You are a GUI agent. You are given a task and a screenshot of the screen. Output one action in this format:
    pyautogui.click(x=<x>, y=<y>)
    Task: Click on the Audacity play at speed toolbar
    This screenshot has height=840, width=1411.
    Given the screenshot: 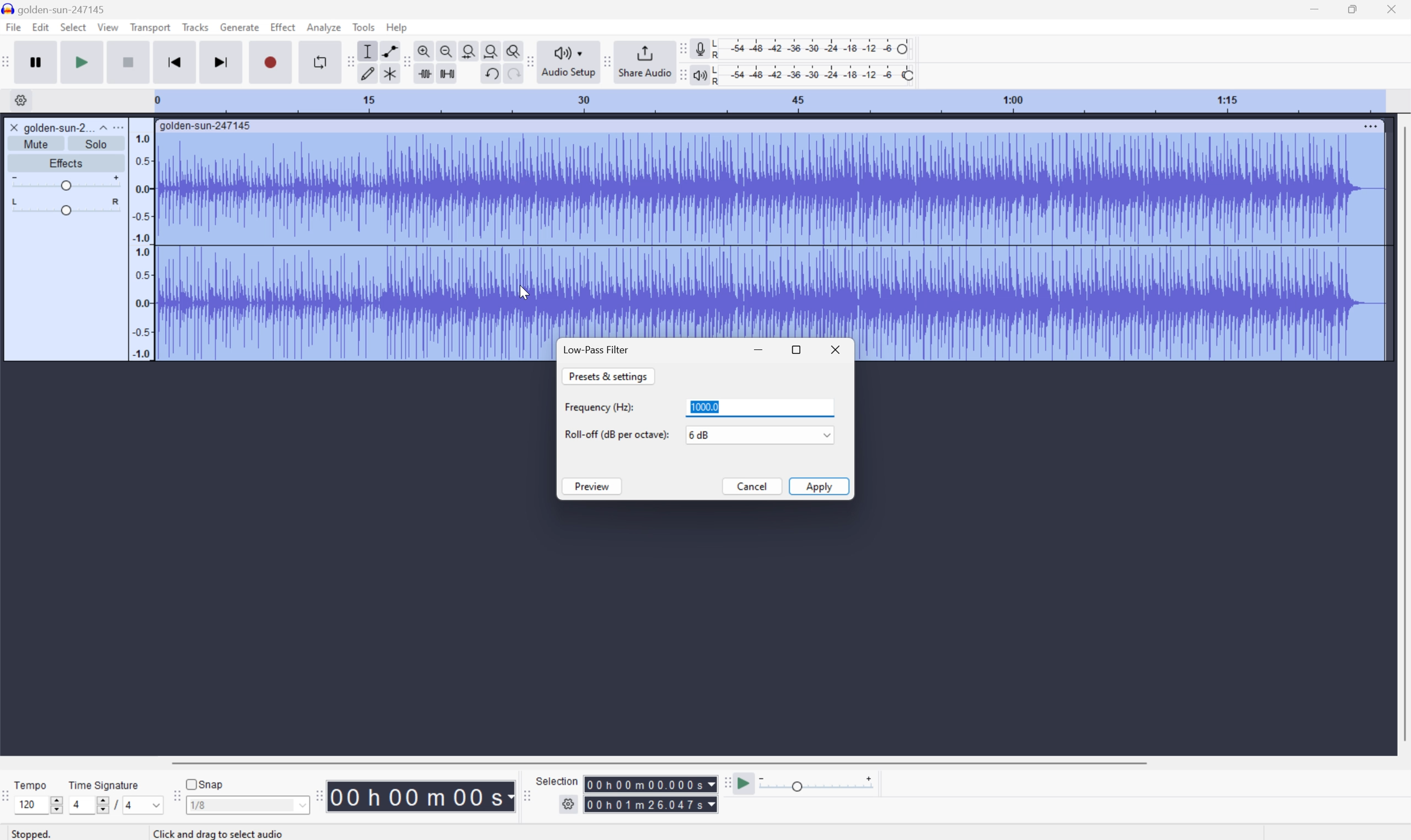 What is the action you would take?
    pyautogui.click(x=726, y=784)
    